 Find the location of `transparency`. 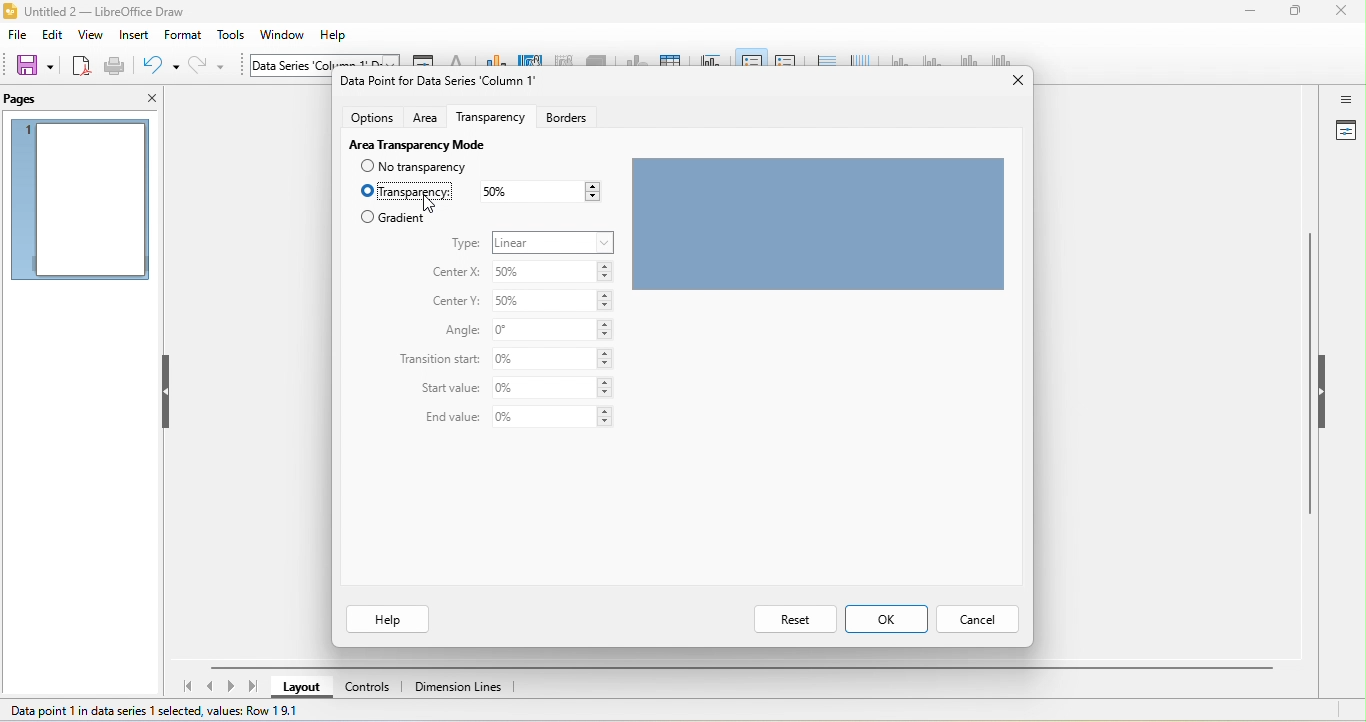

transparency is located at coordinates (492, 120).